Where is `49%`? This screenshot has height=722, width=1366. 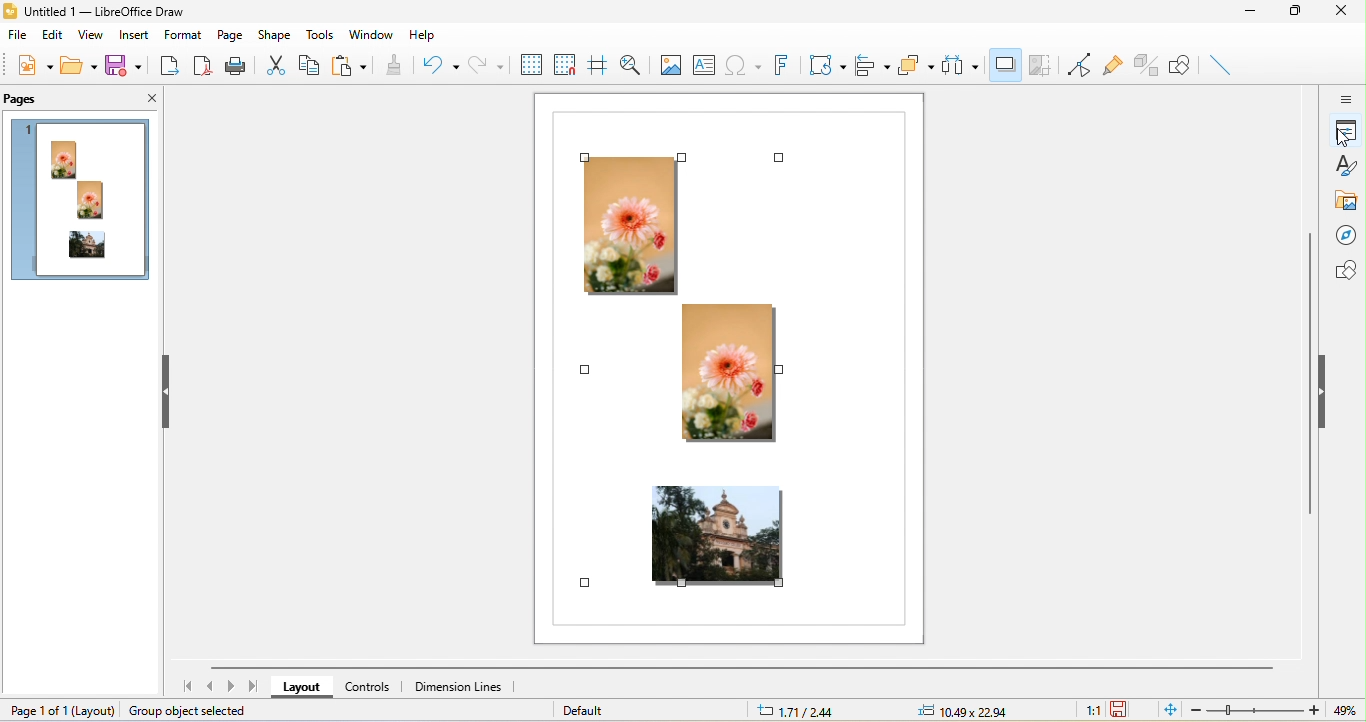
49% is located at coordinates (1342, 711).